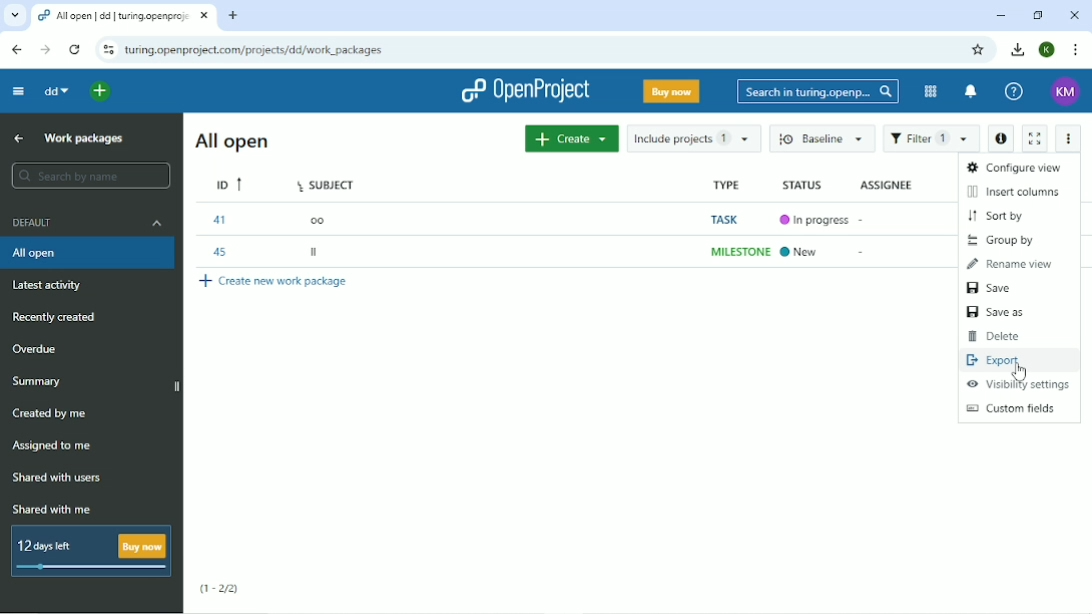 This screenshot has width=1092, height=614. I want to click on Subject, so click(328, 183).